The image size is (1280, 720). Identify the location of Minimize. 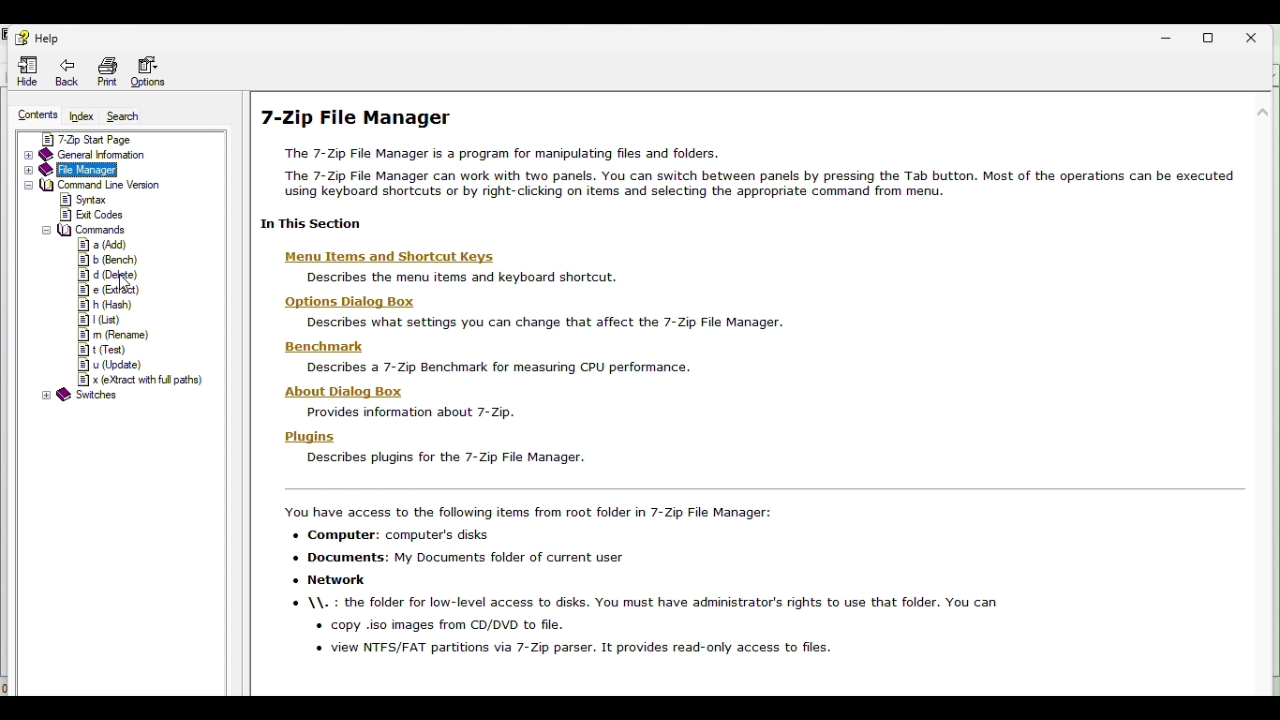
(1174, 33).